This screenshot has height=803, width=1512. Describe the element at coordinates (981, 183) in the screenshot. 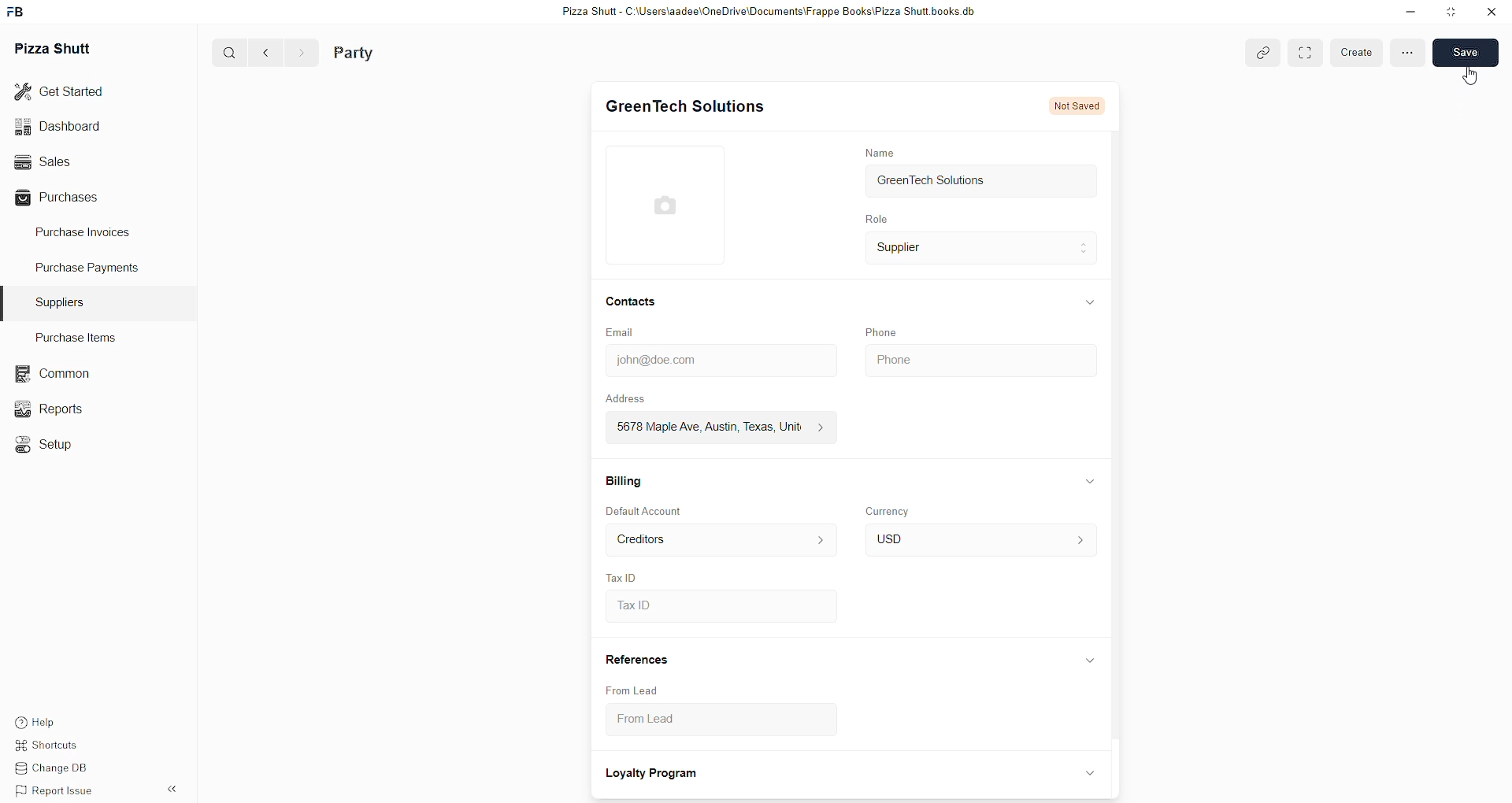

I see `GreenTech Solutions` at that location.